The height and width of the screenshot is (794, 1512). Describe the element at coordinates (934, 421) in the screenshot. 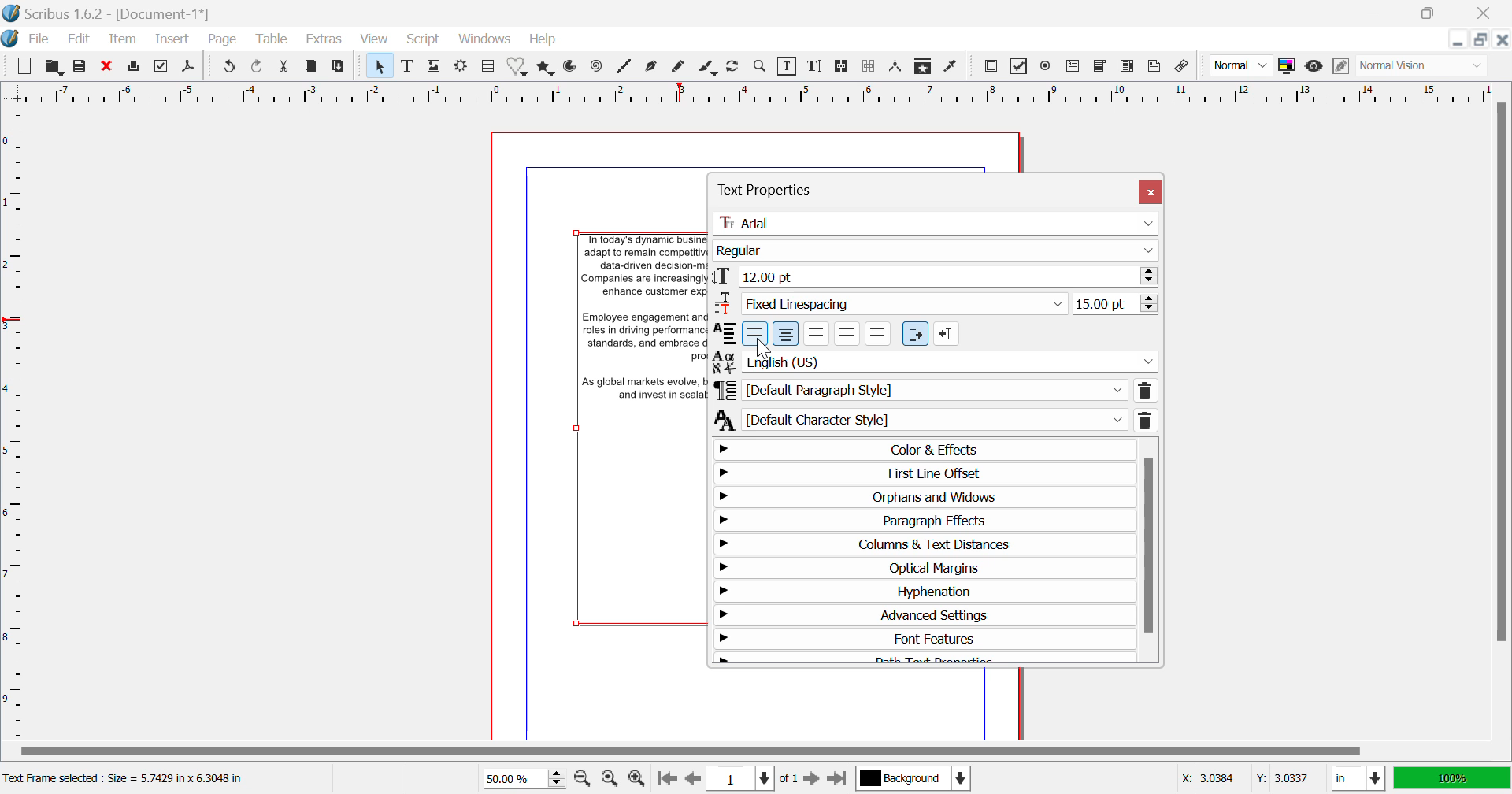

I see `Default Character Style` at that location.